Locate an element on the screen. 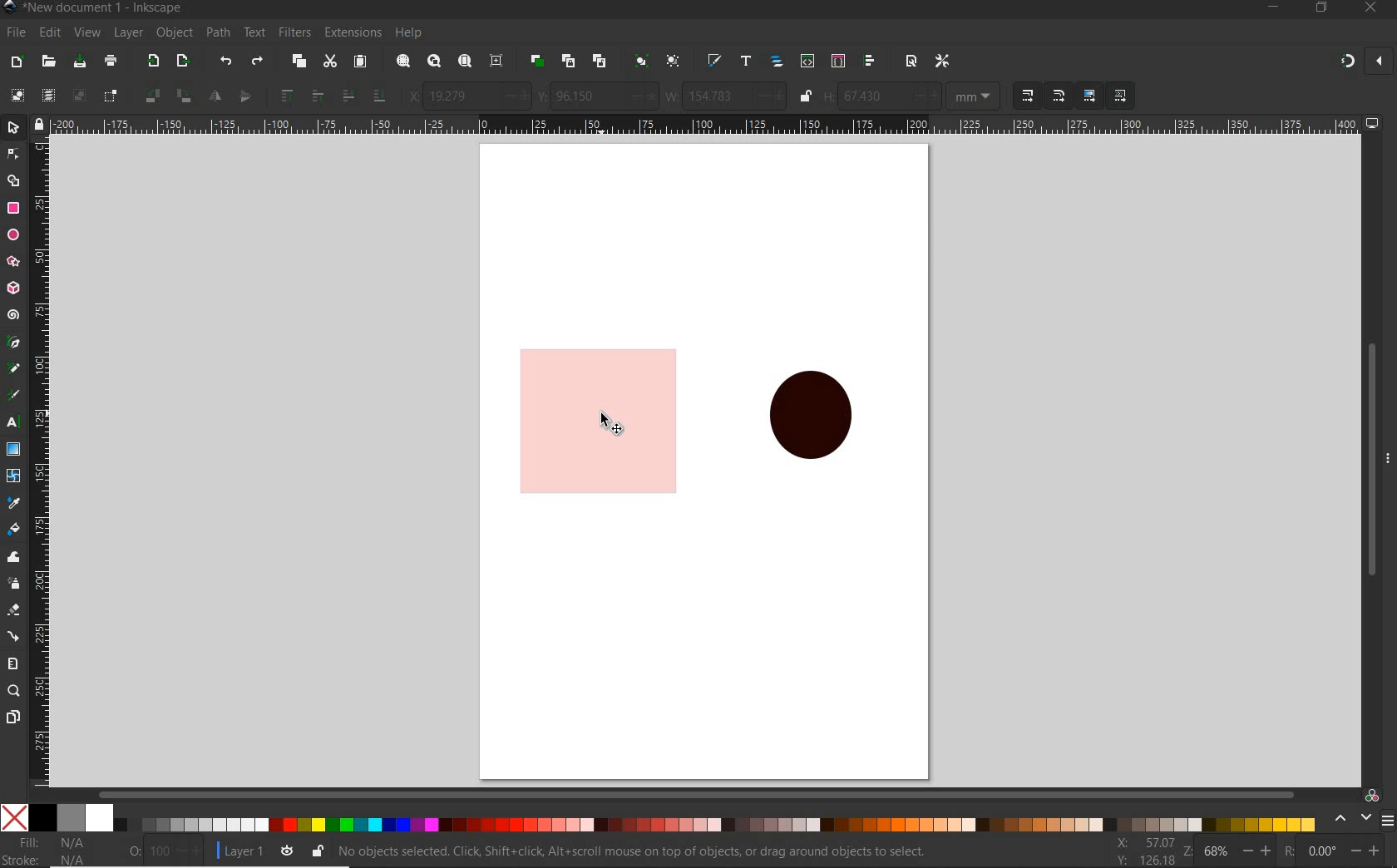 The image size is (1397, 868). when scaling rectangles is located at coordinates (1059, 96).